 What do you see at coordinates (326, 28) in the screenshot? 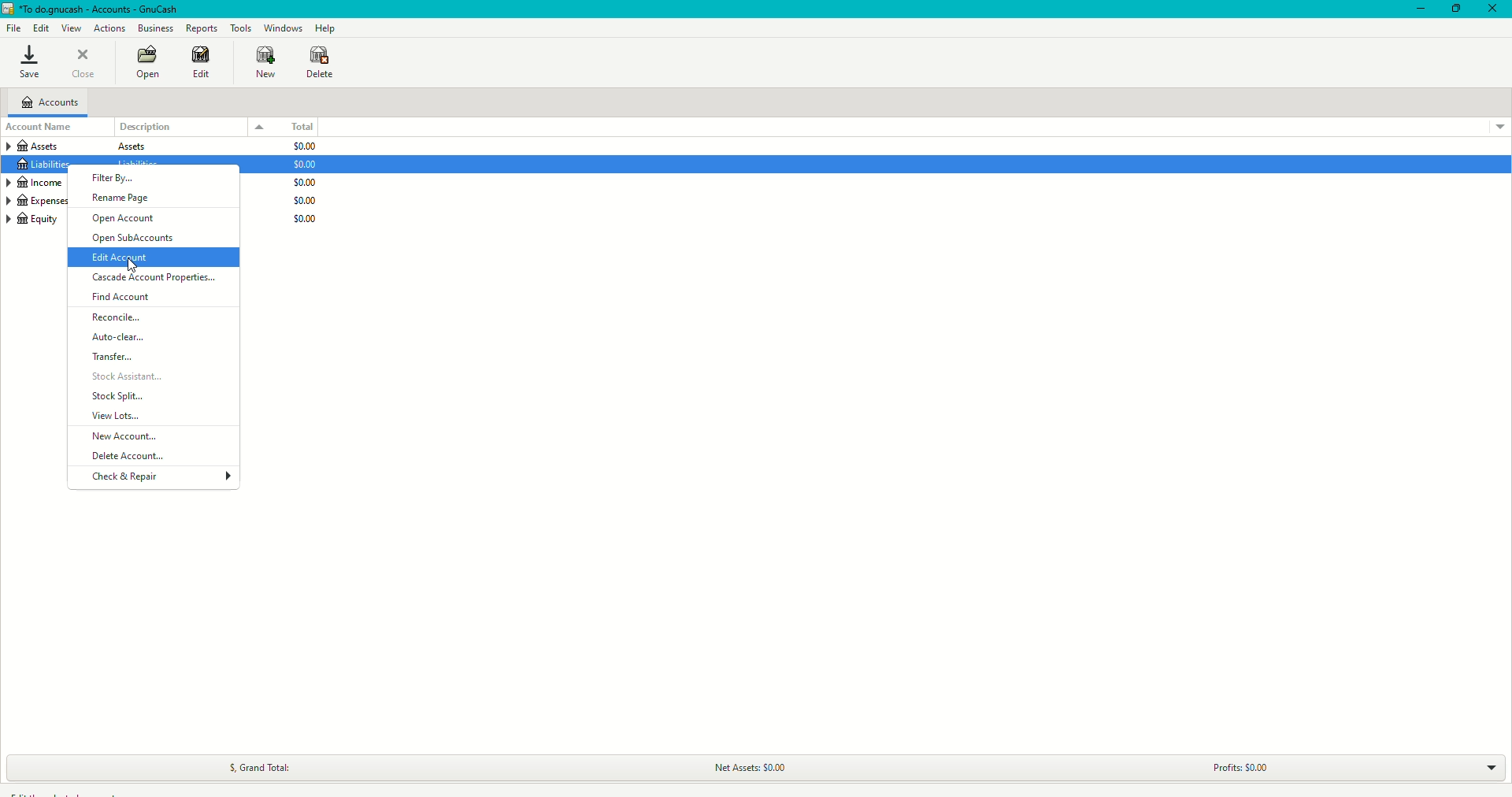
I see `Help` at bounding box center [326, 28].